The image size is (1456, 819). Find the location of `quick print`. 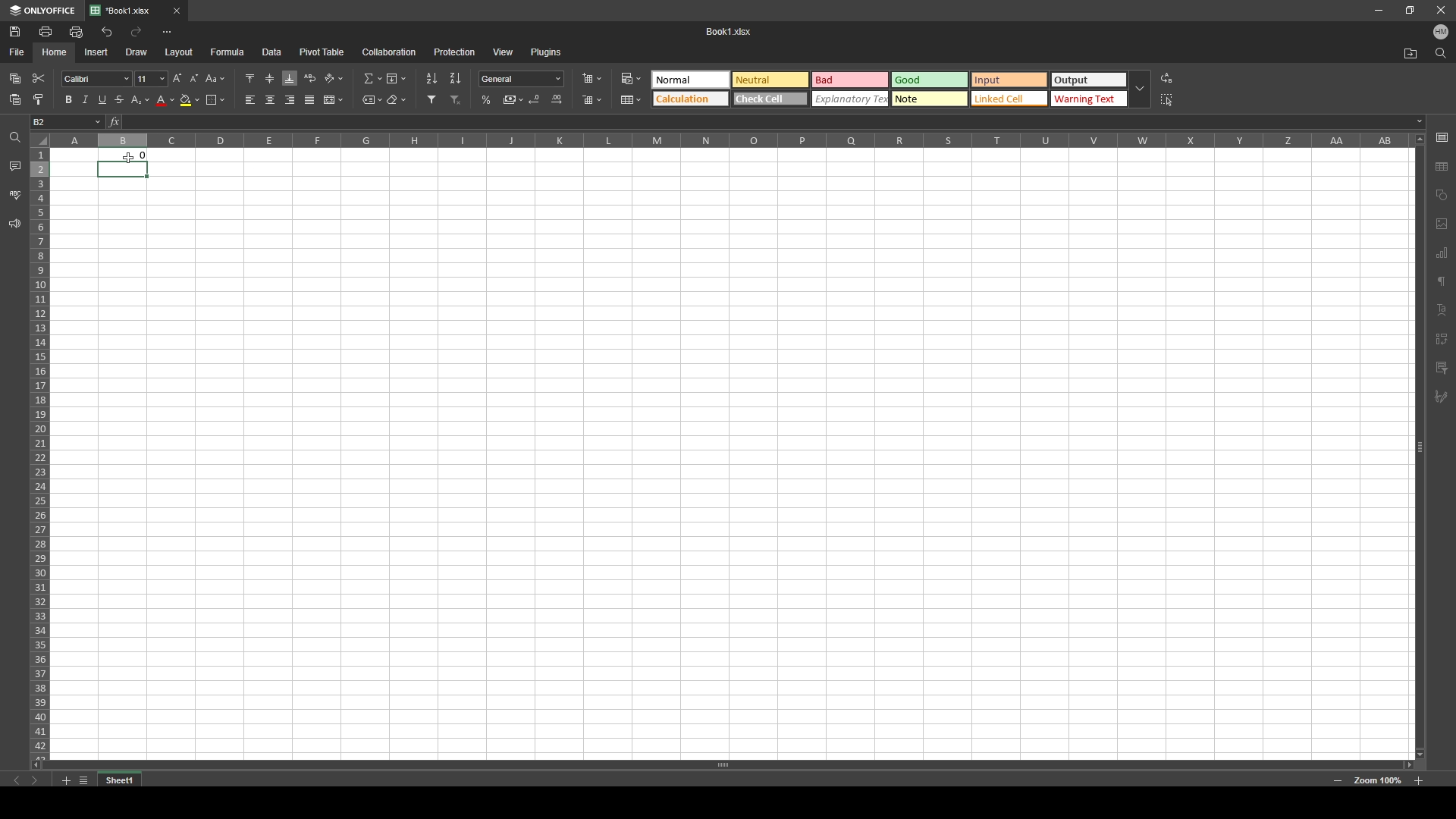

quick print is located at coordinates (77, 31).